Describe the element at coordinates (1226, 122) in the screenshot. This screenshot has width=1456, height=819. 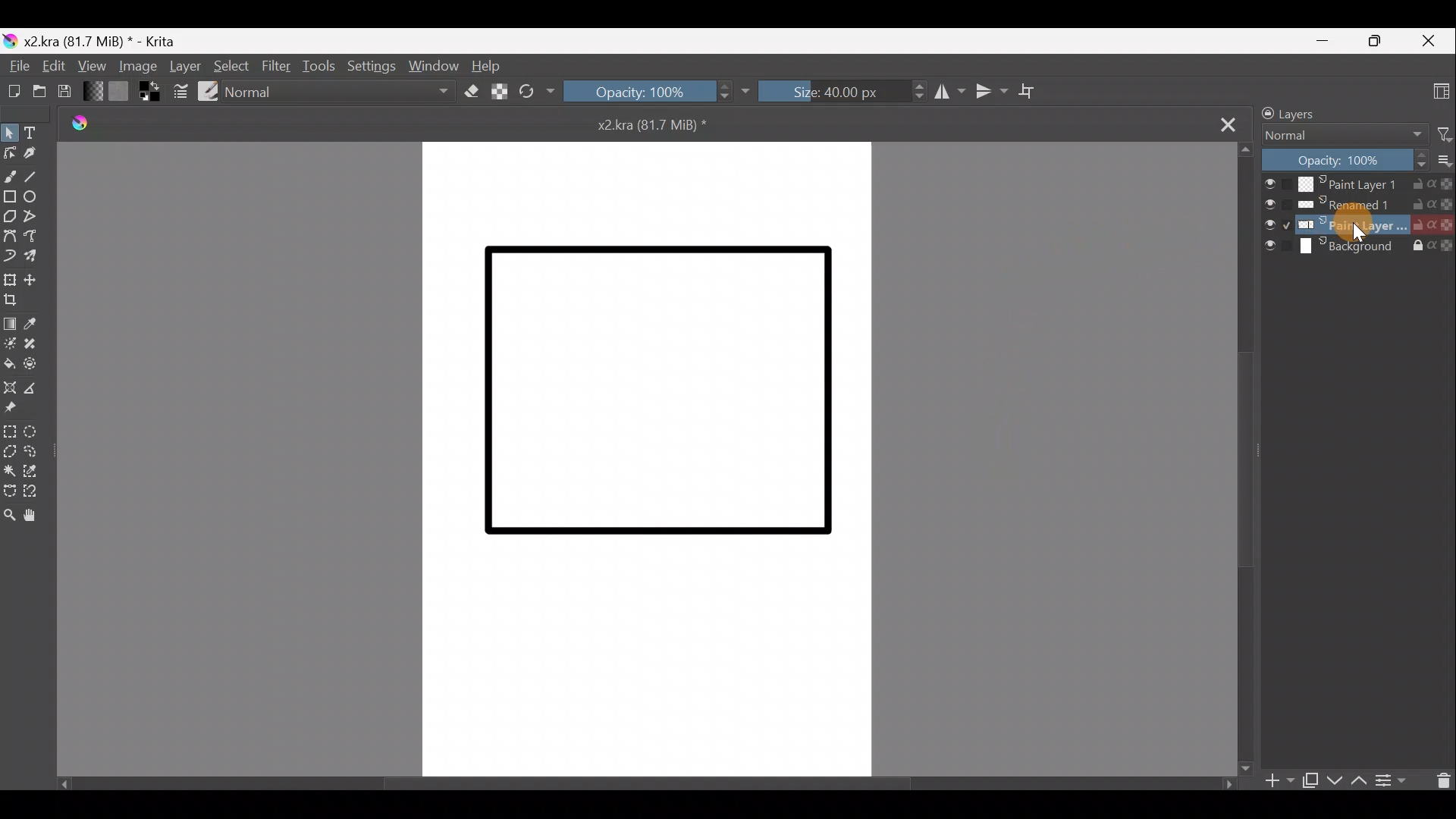
I see `Close tab` at that location.